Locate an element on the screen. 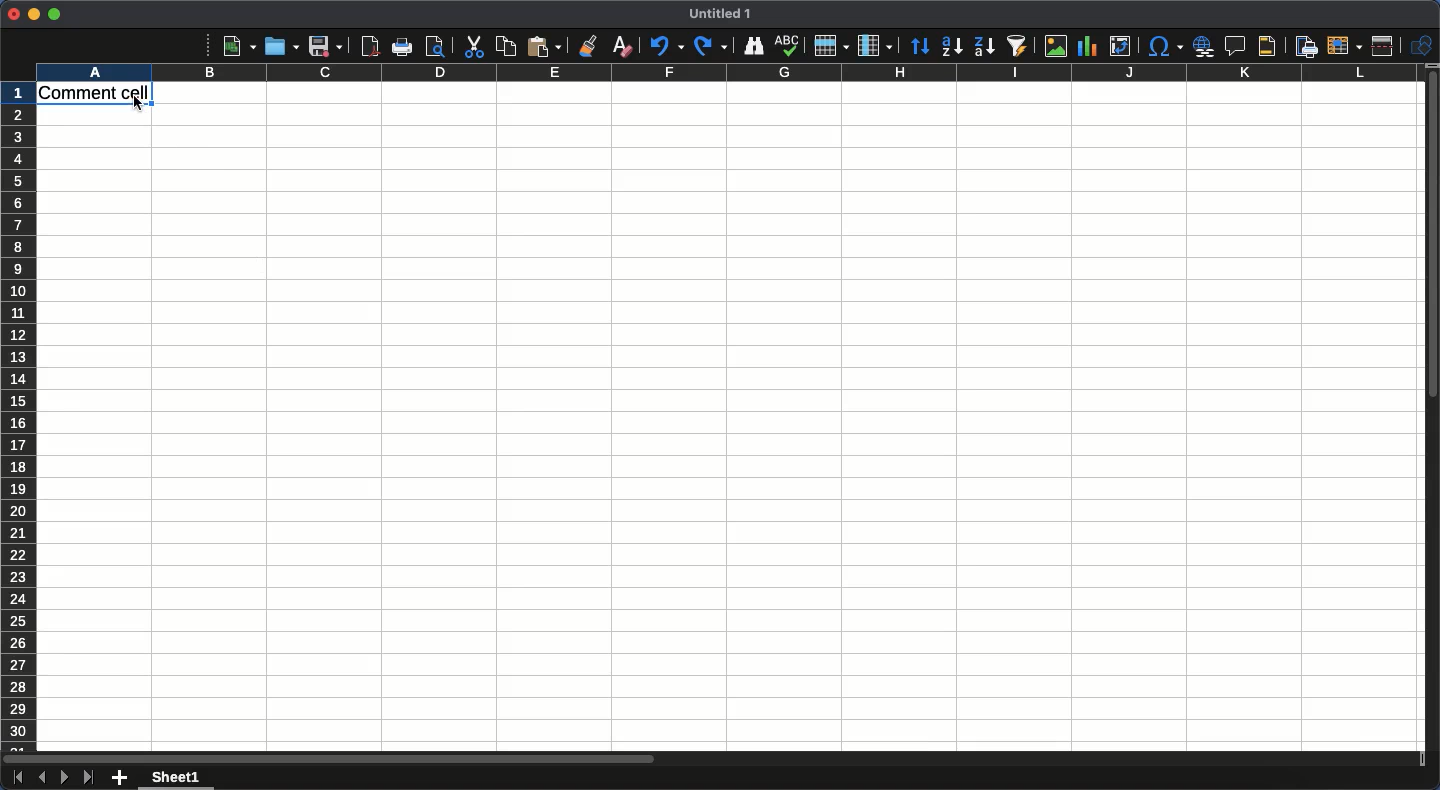  Undo is located at coordinates (666, 46).